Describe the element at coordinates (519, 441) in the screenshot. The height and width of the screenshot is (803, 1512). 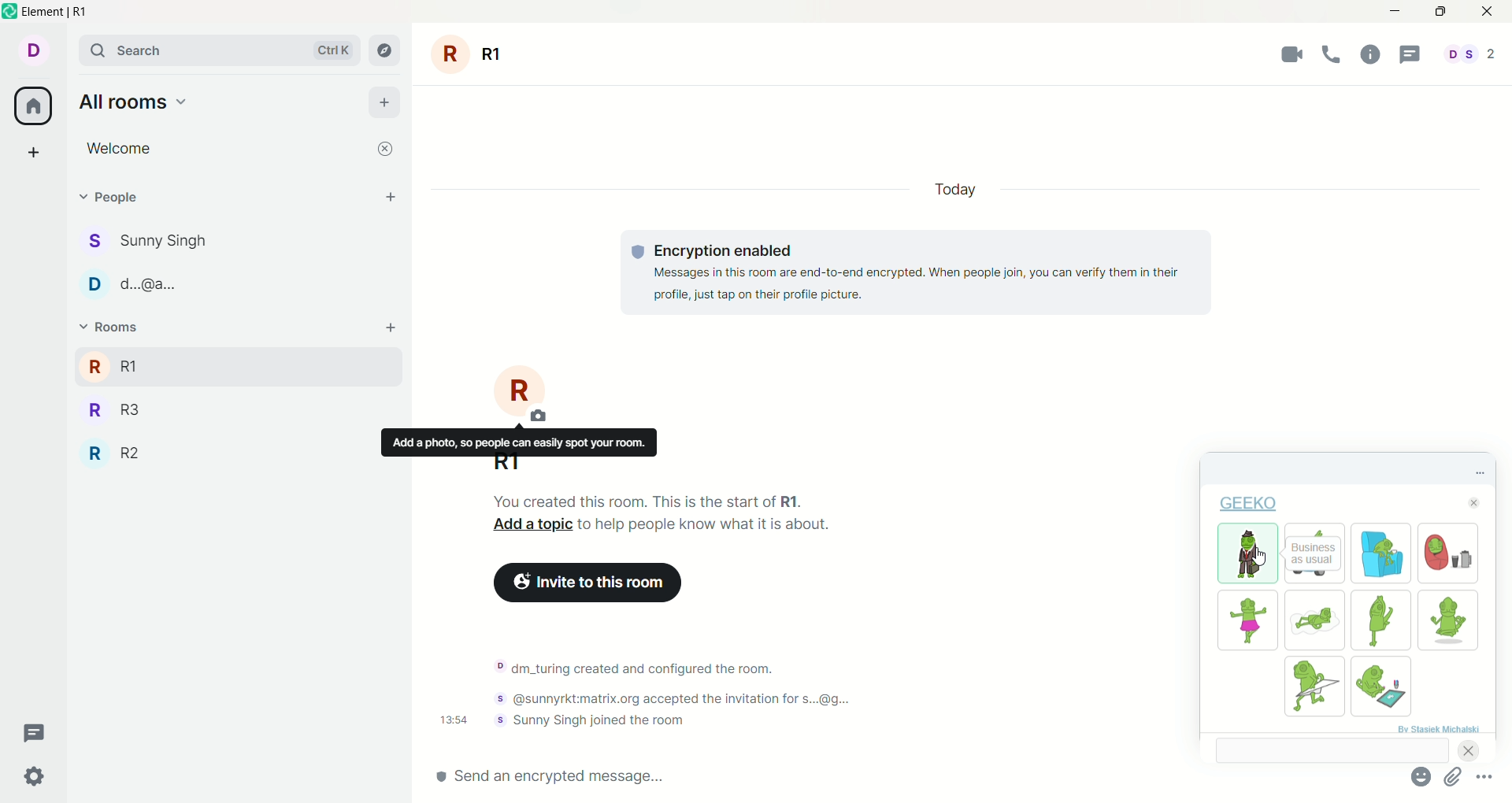
I see `Text description of function of button above` at that location.